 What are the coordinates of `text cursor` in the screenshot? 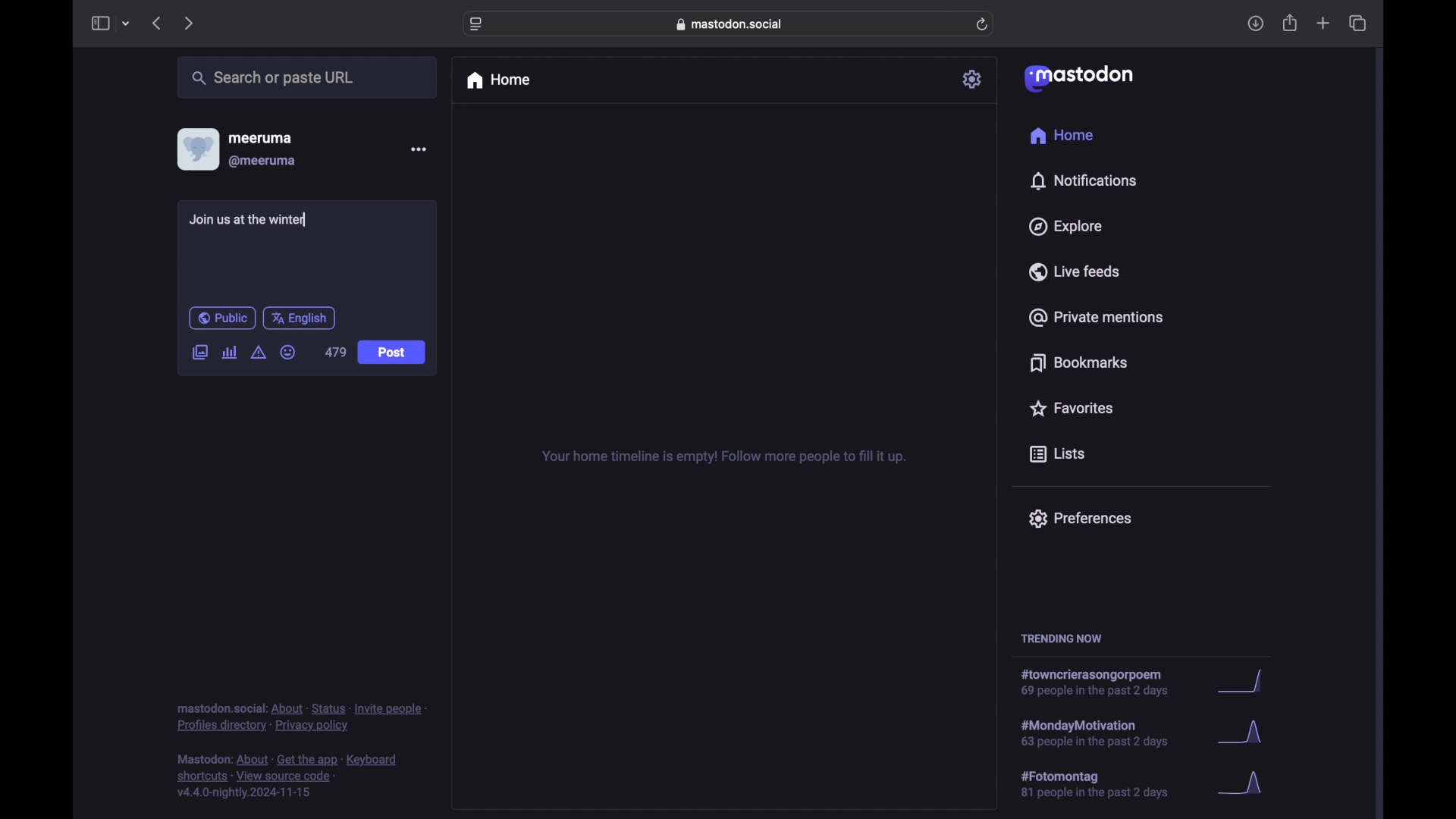 It's located at (308, 219).